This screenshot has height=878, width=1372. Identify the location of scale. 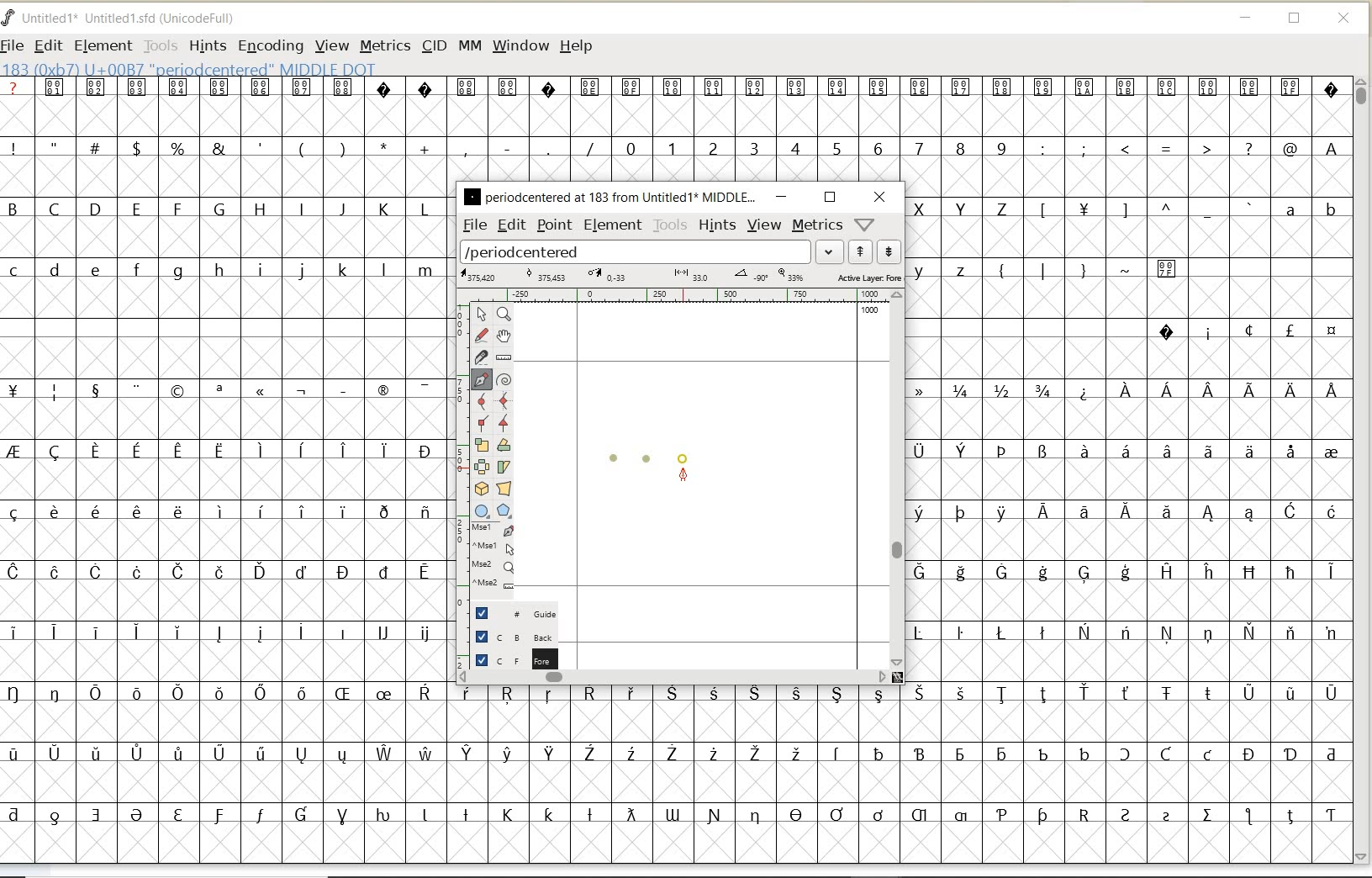
(458, 443).